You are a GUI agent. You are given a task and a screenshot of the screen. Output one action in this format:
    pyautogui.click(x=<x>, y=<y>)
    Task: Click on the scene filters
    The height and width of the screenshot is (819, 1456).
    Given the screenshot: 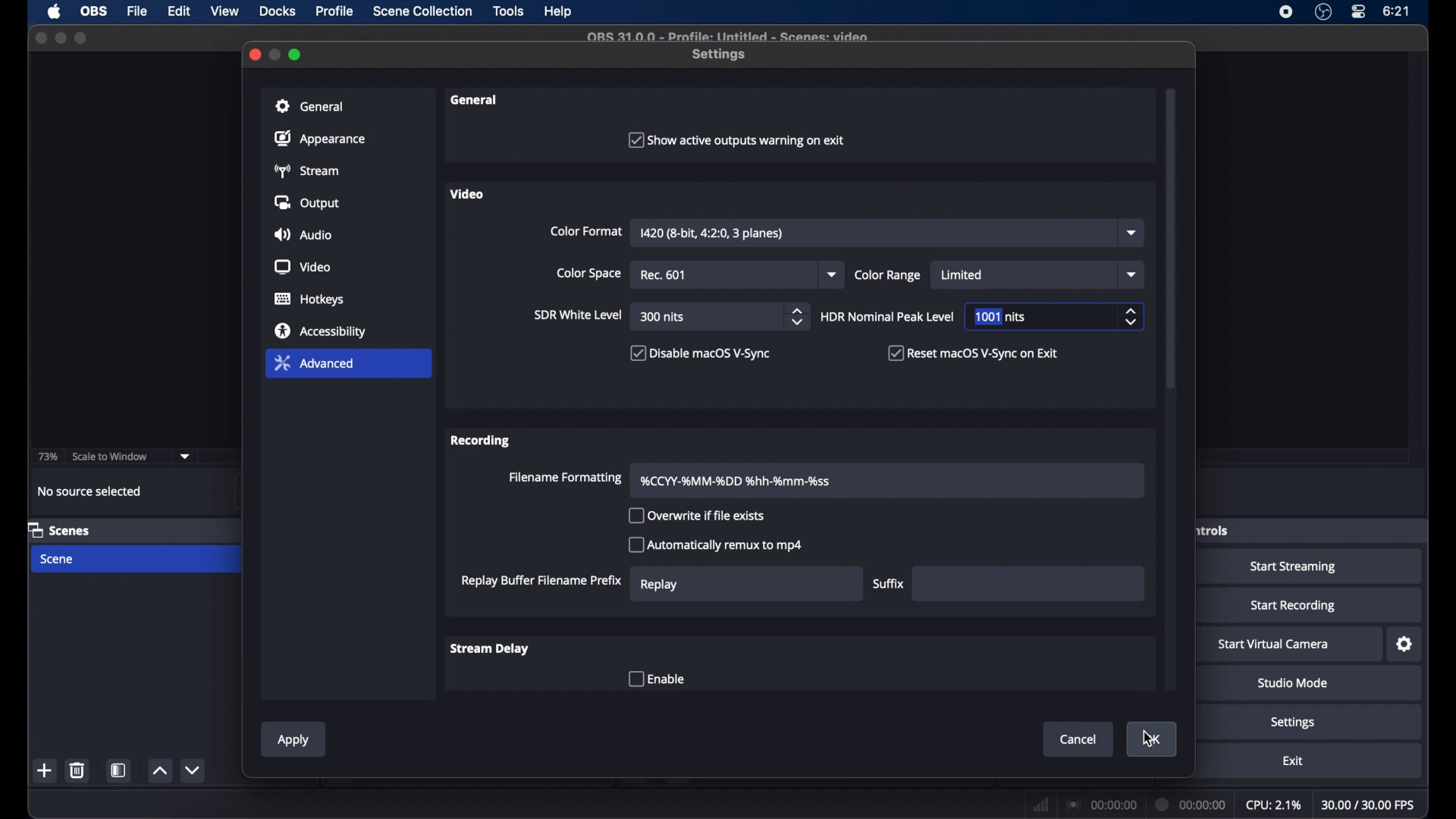 What is the action you would take?
    pyautogui.click(x=119, y=770)
    